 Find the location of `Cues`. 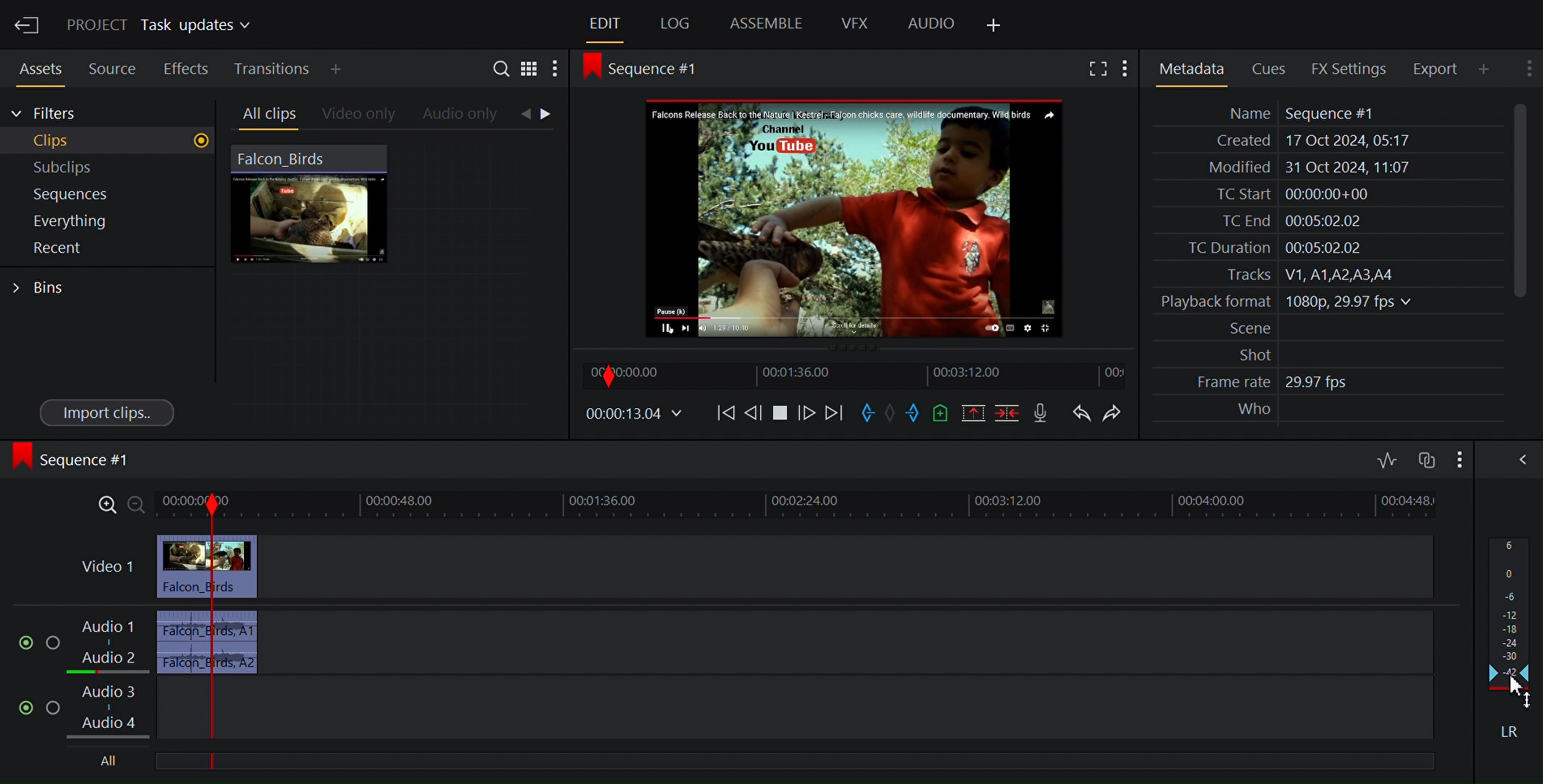

Cues is located at coordinates (1267, 68).